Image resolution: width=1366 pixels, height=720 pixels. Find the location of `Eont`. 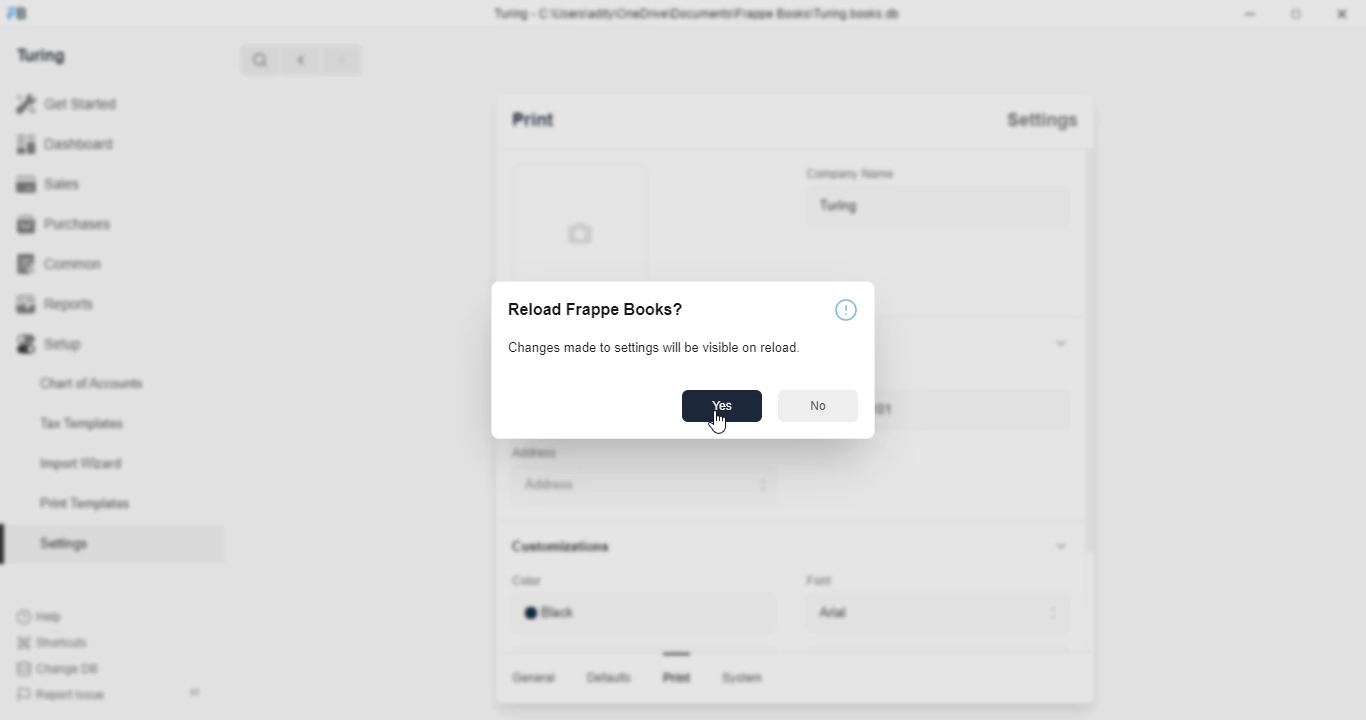

Eont is located at coordinates (822, 578).